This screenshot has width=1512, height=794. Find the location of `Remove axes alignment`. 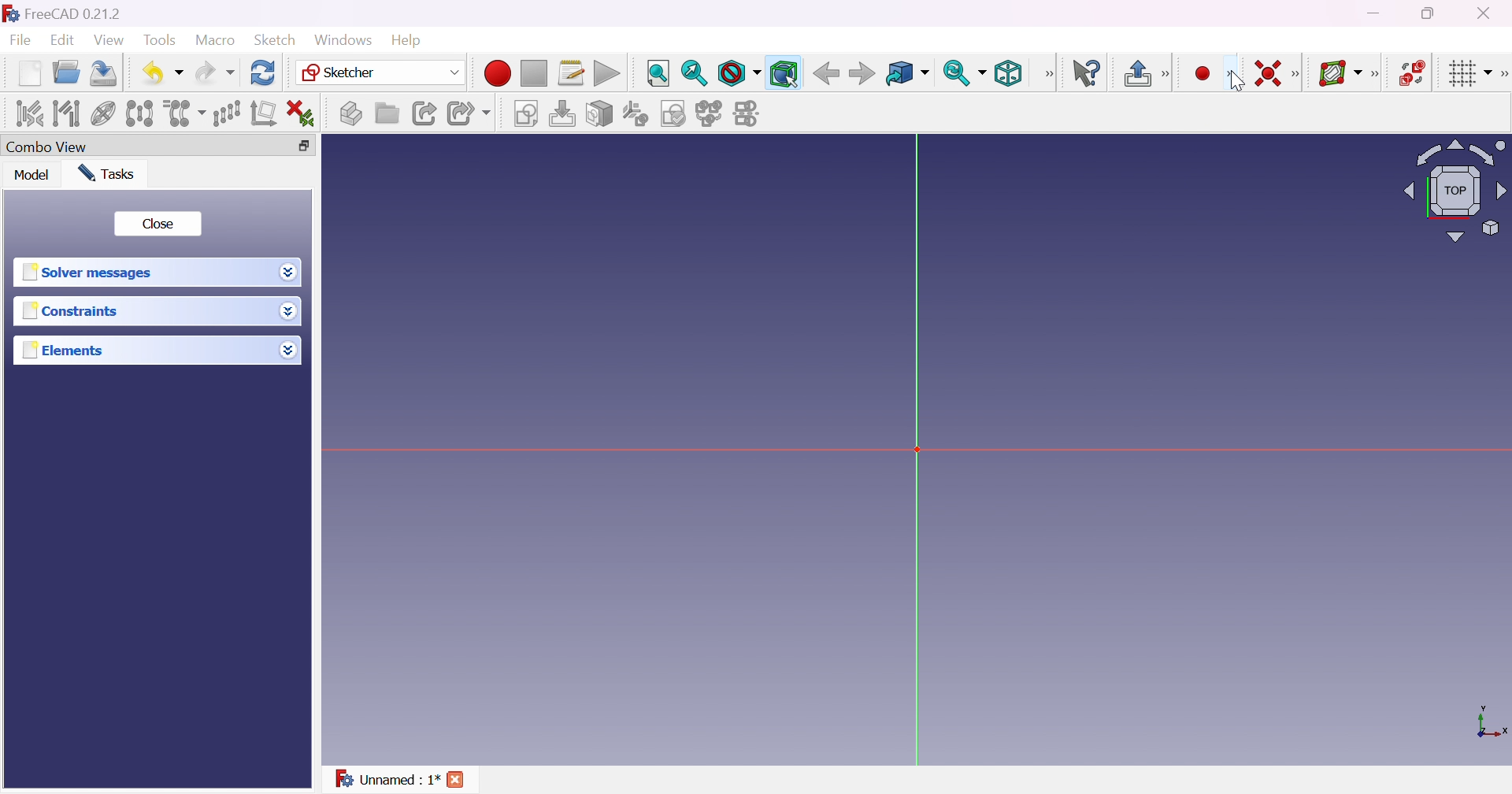

Remove axes alignment is located at coordinates (262, 114).